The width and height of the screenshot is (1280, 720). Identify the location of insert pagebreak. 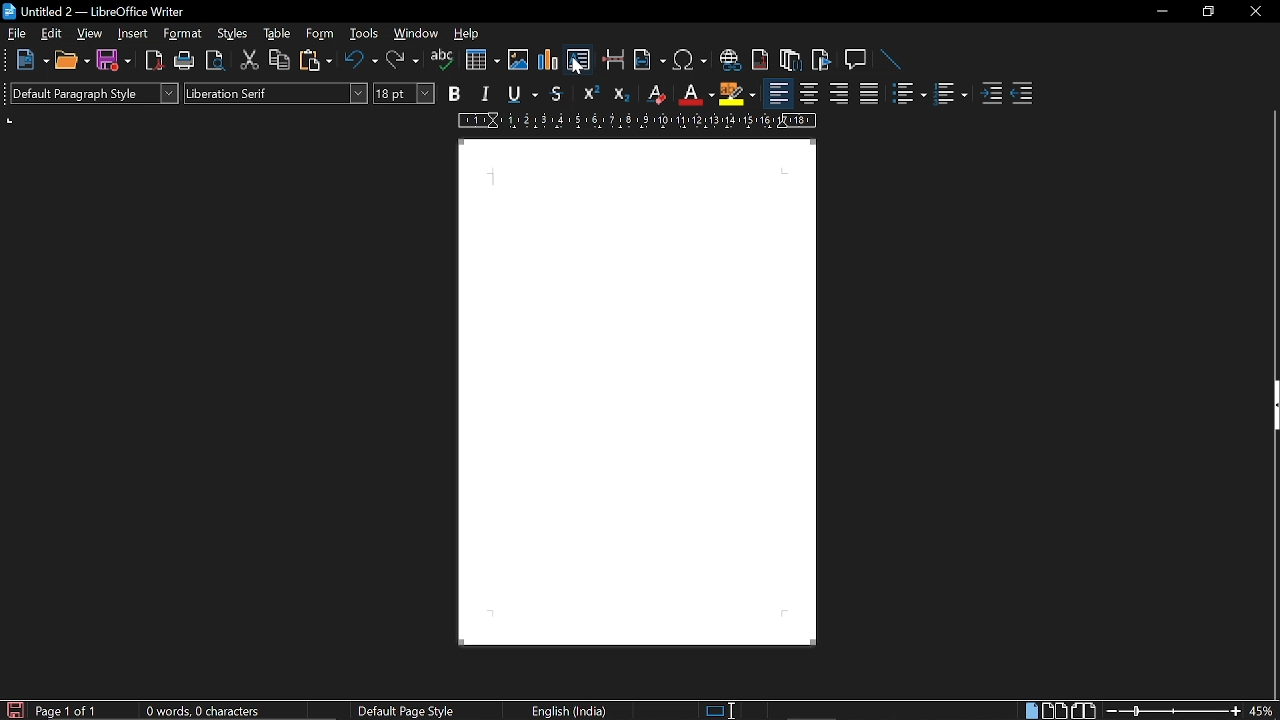
(614, 62).